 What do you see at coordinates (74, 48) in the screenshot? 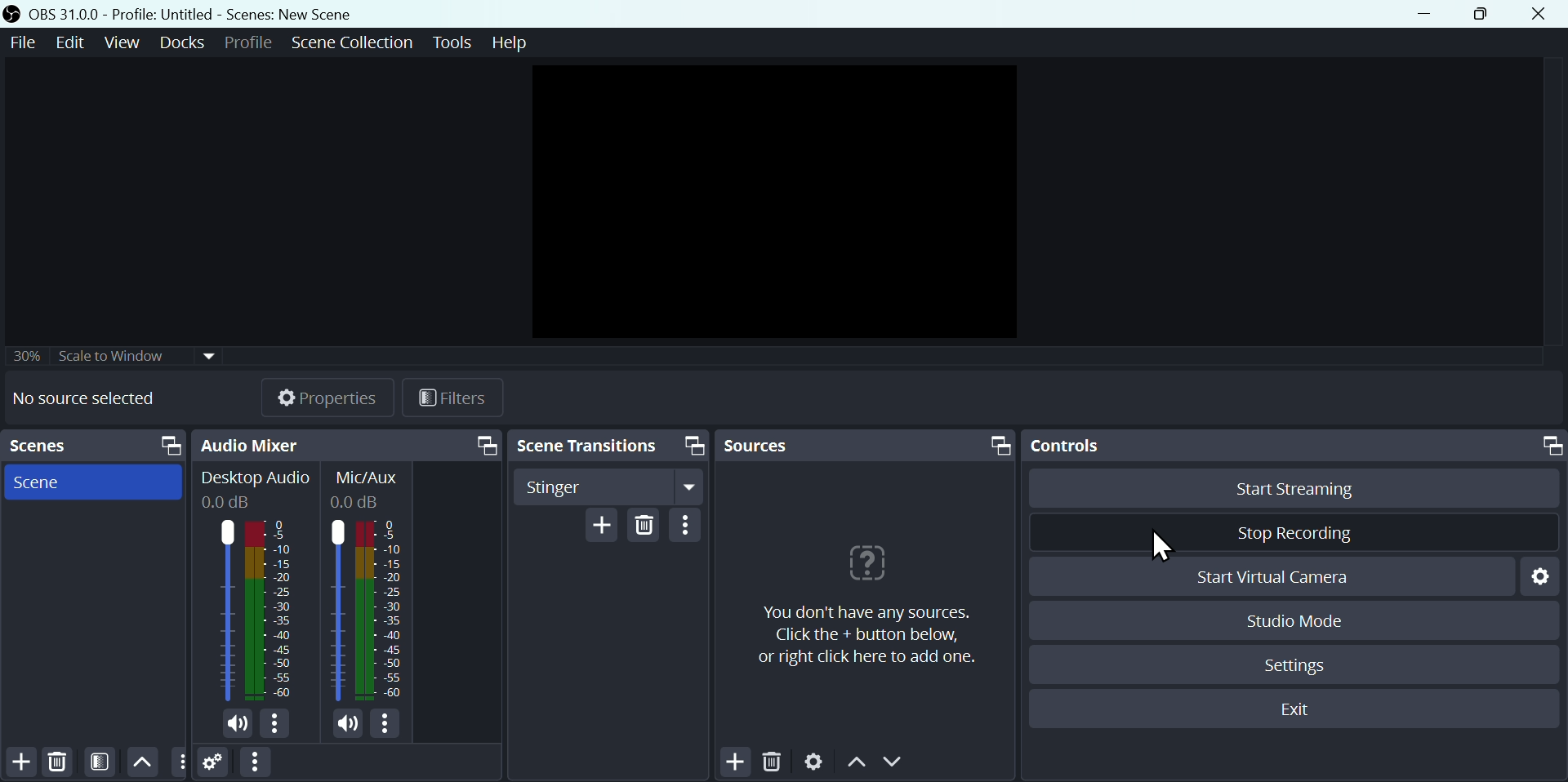
I see `Edit` at bounding box center [74, 48].